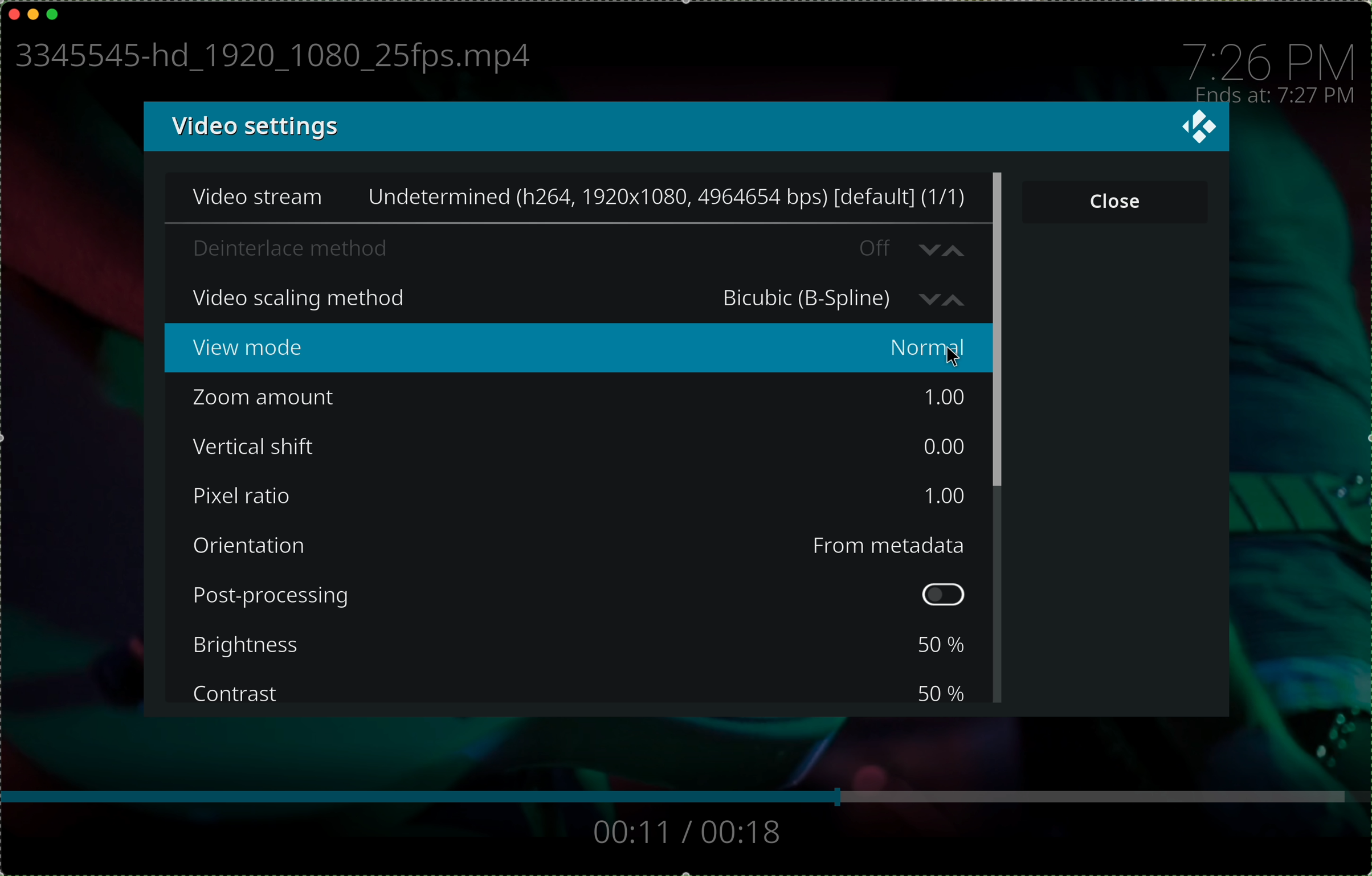 Image resolution: width=1372 pixels, height=876 pixels. What do you see at coordinates (888, 546) in the screenshot?
I see `from metadata` at bounding box center [888, 546].